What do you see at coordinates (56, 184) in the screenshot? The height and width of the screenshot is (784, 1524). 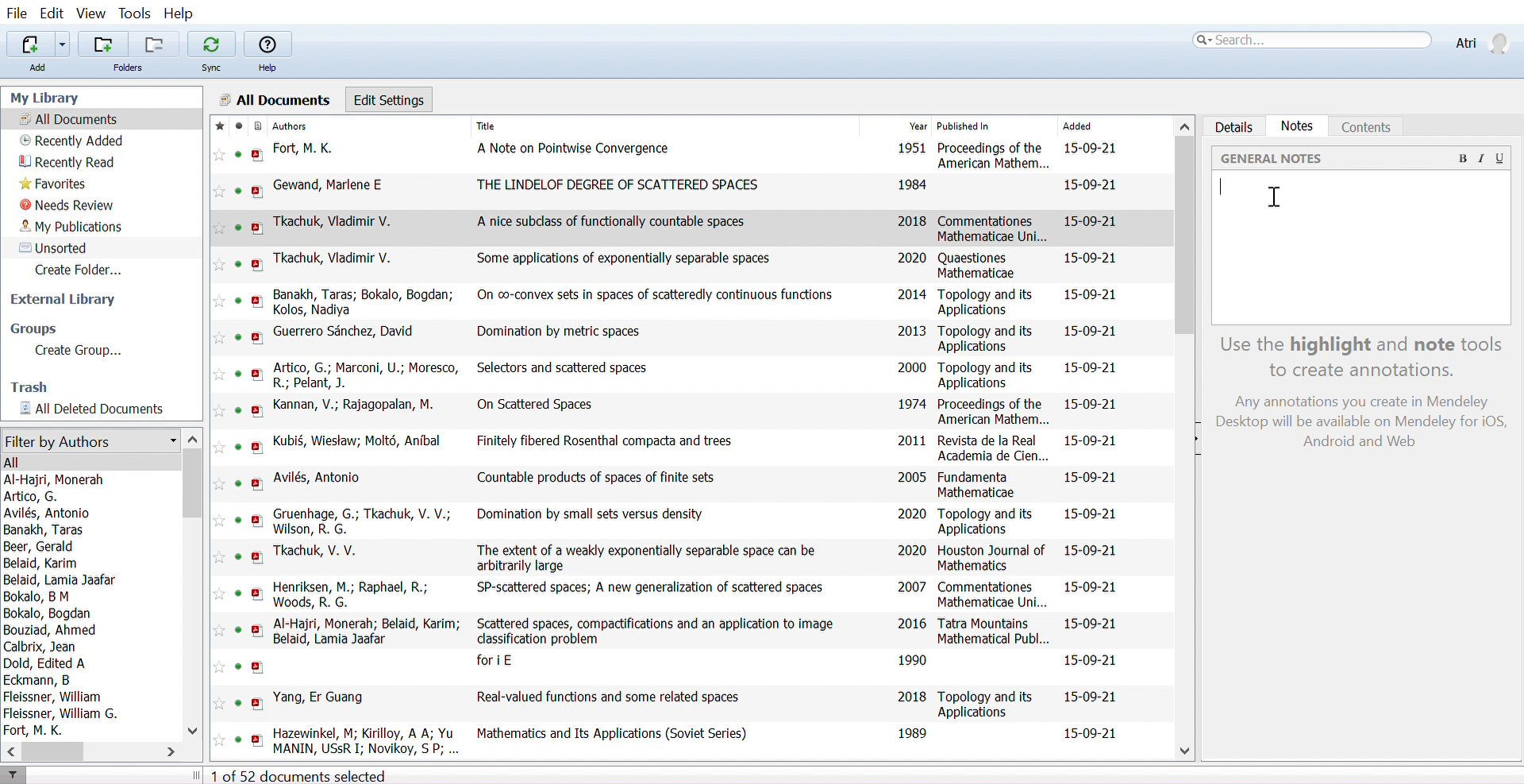 I see `Favorites` at bounding box center [56, 184].